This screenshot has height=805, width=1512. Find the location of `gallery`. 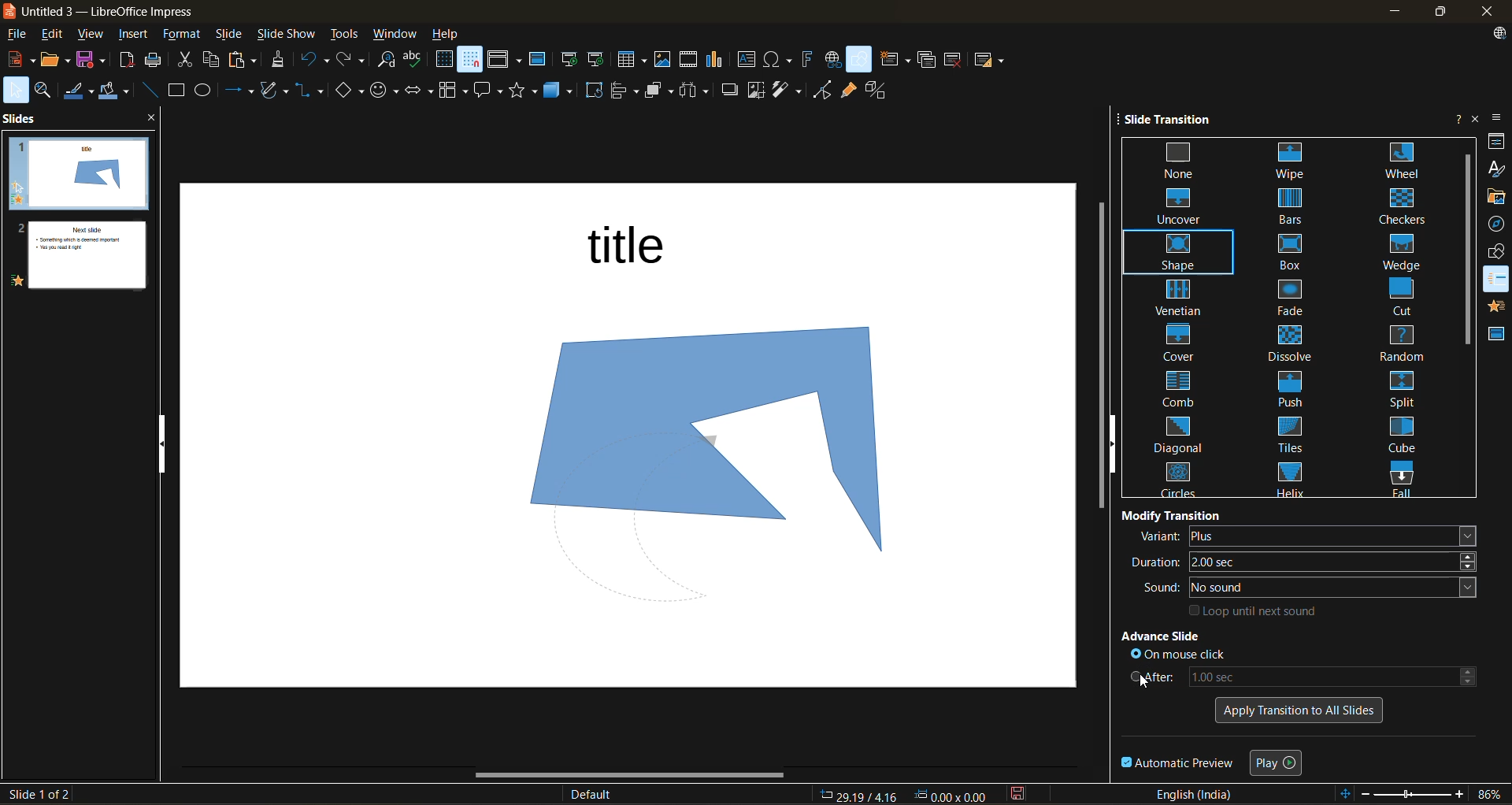

gallery is located at coordinates (1496, 197).